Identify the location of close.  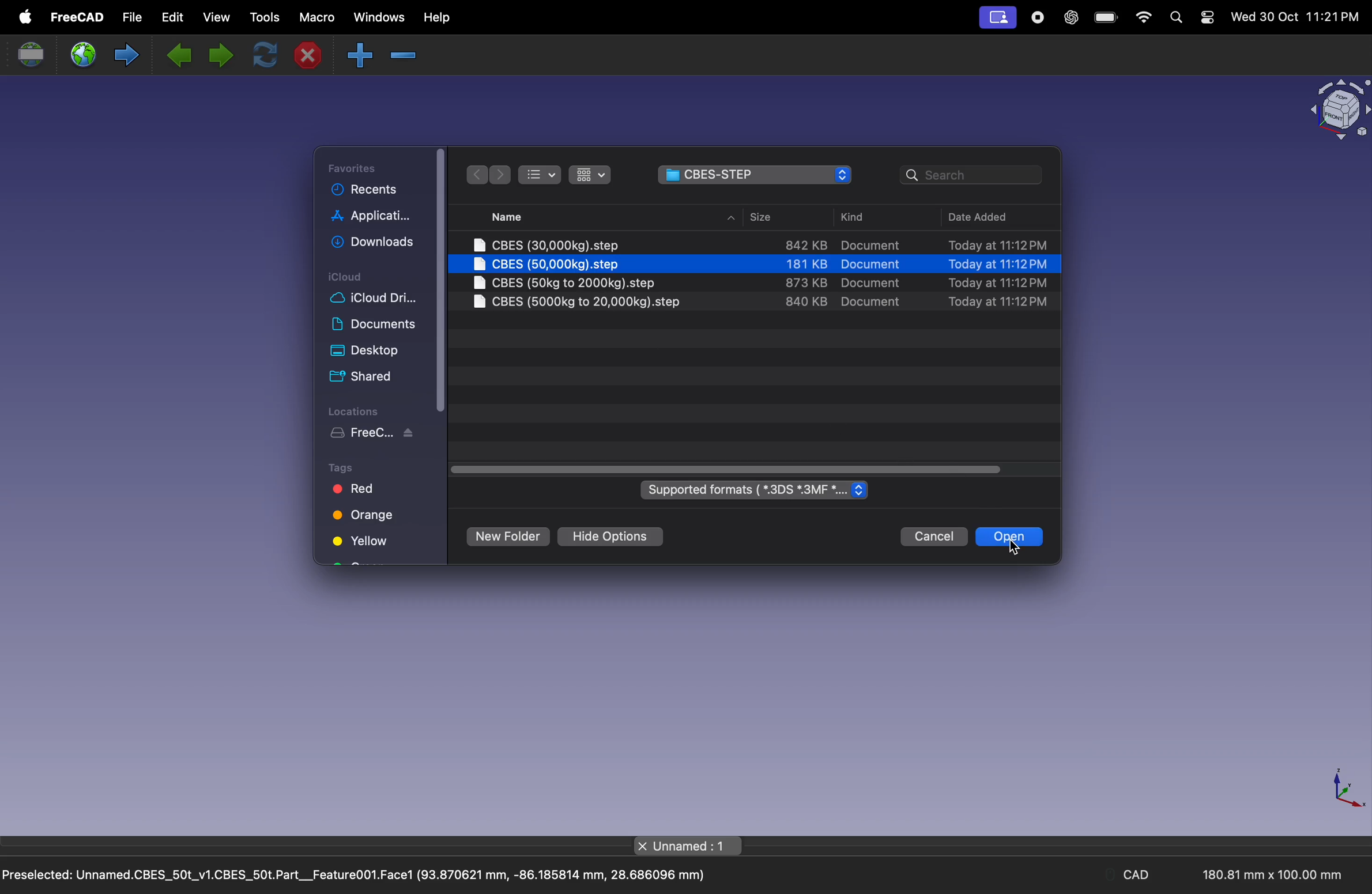
(313, 55).